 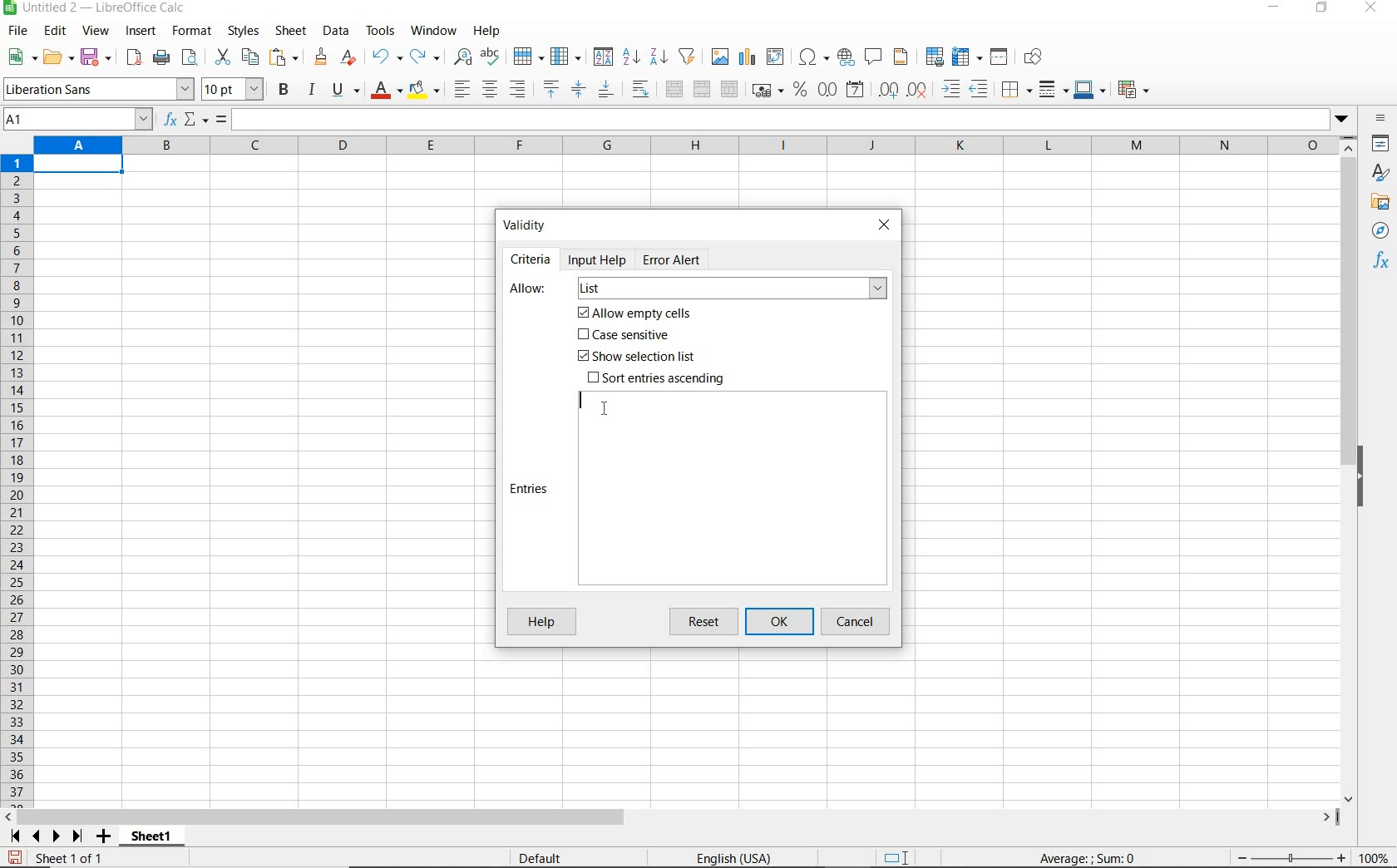 What do you see at coordinates (97, 57) in the screenshot?
I see `save` at bounding box center [97, 57].